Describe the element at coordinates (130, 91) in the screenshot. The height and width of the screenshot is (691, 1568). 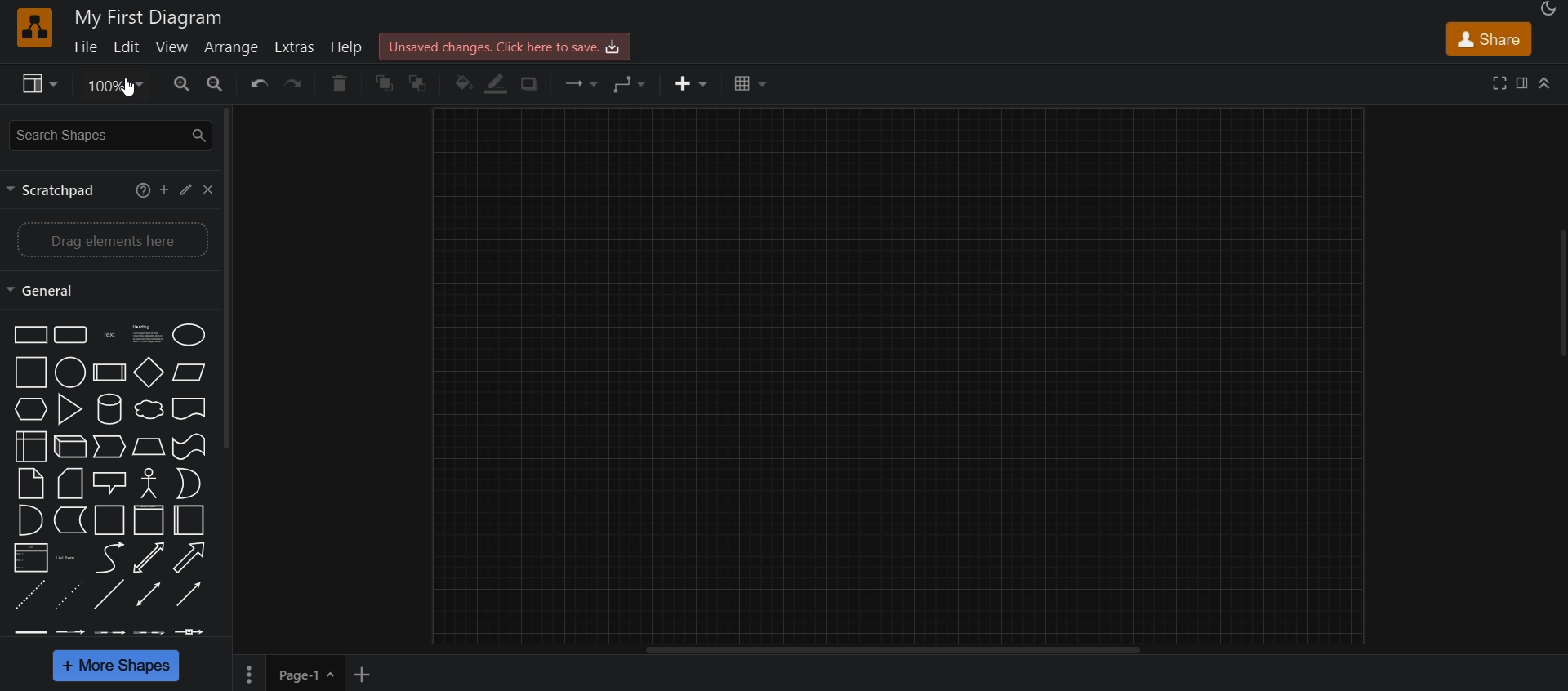
I see `` at that location.